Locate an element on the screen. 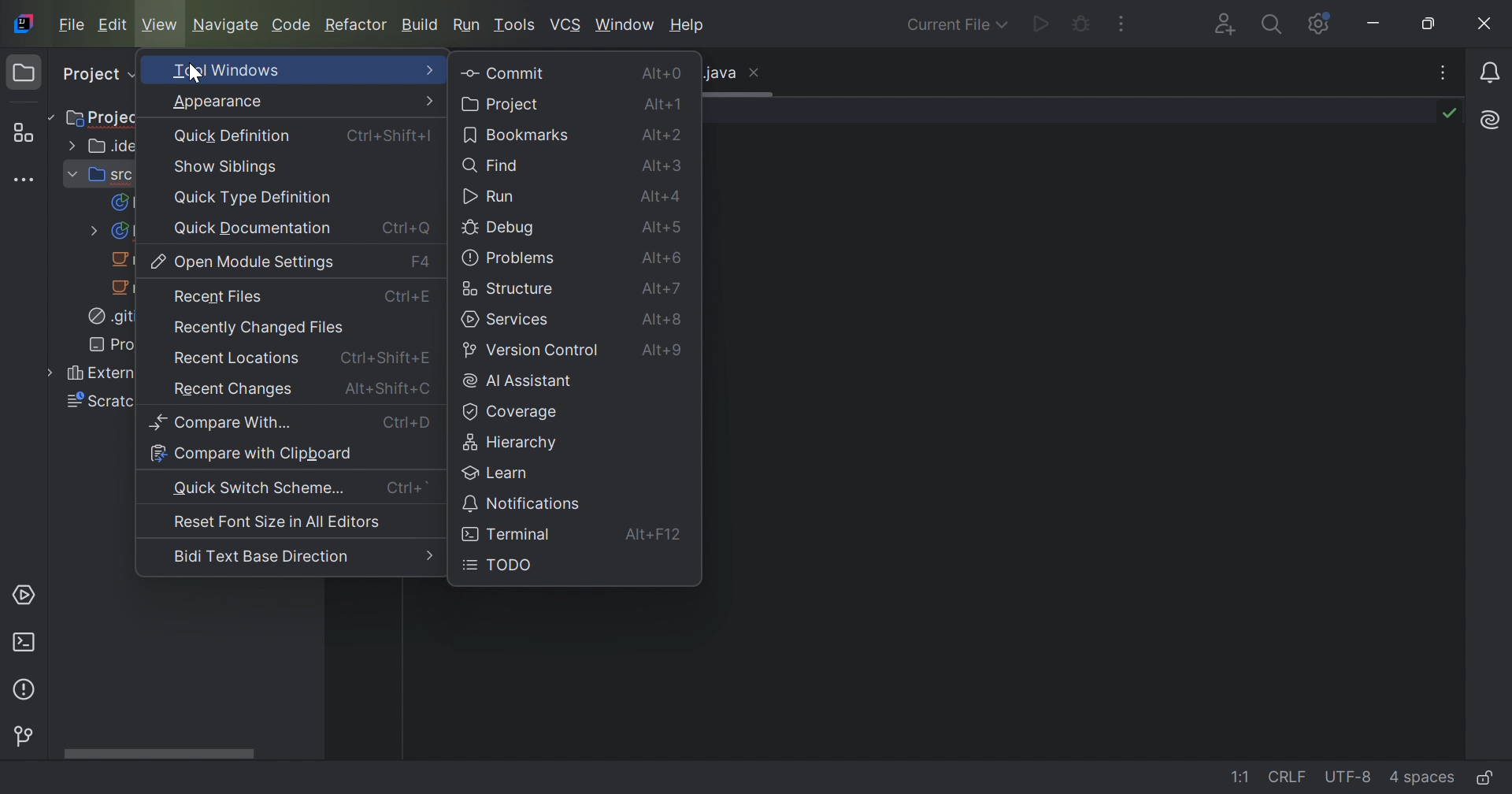 This screenshot has width=1512, height=794. Cursor is located at coordinates (194, 74).